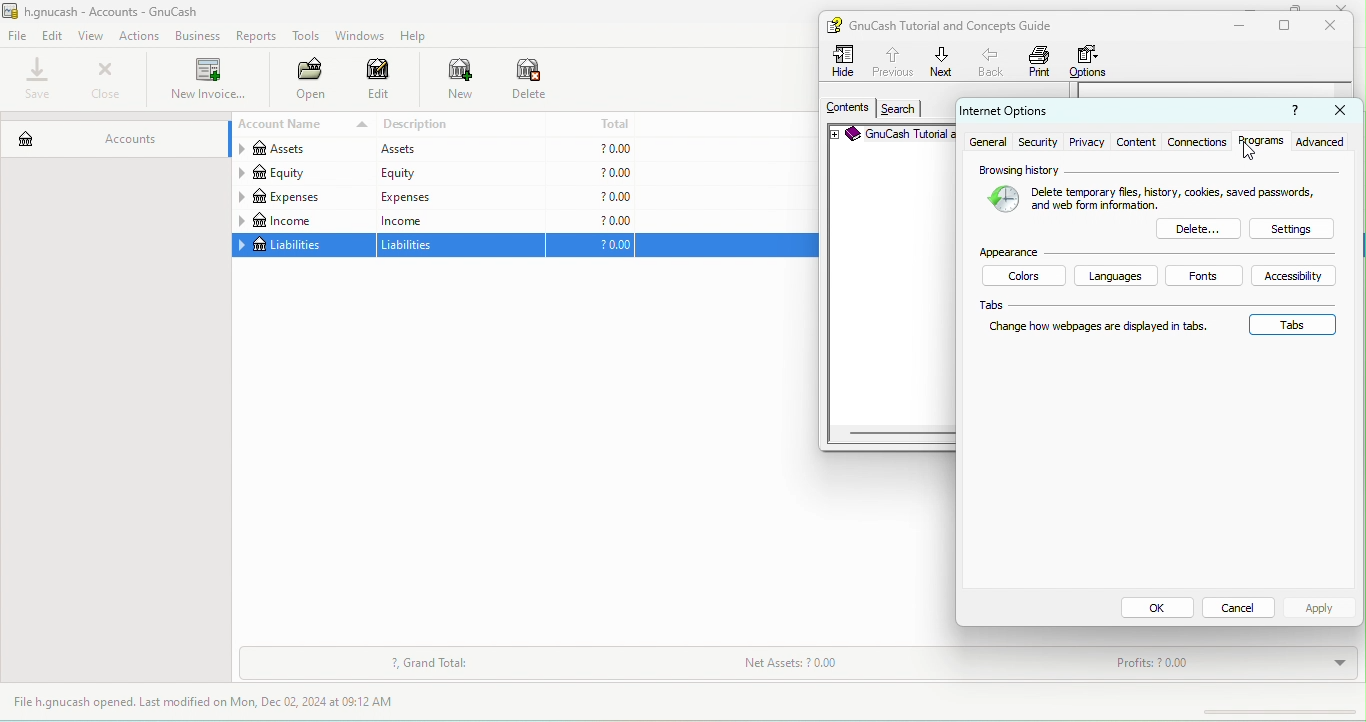 The height and width of the screenshot is (722, 1366). What do you see at coordinates (844, 107) in the screenshot?
I see `contents` at bounding box center [844, 107].